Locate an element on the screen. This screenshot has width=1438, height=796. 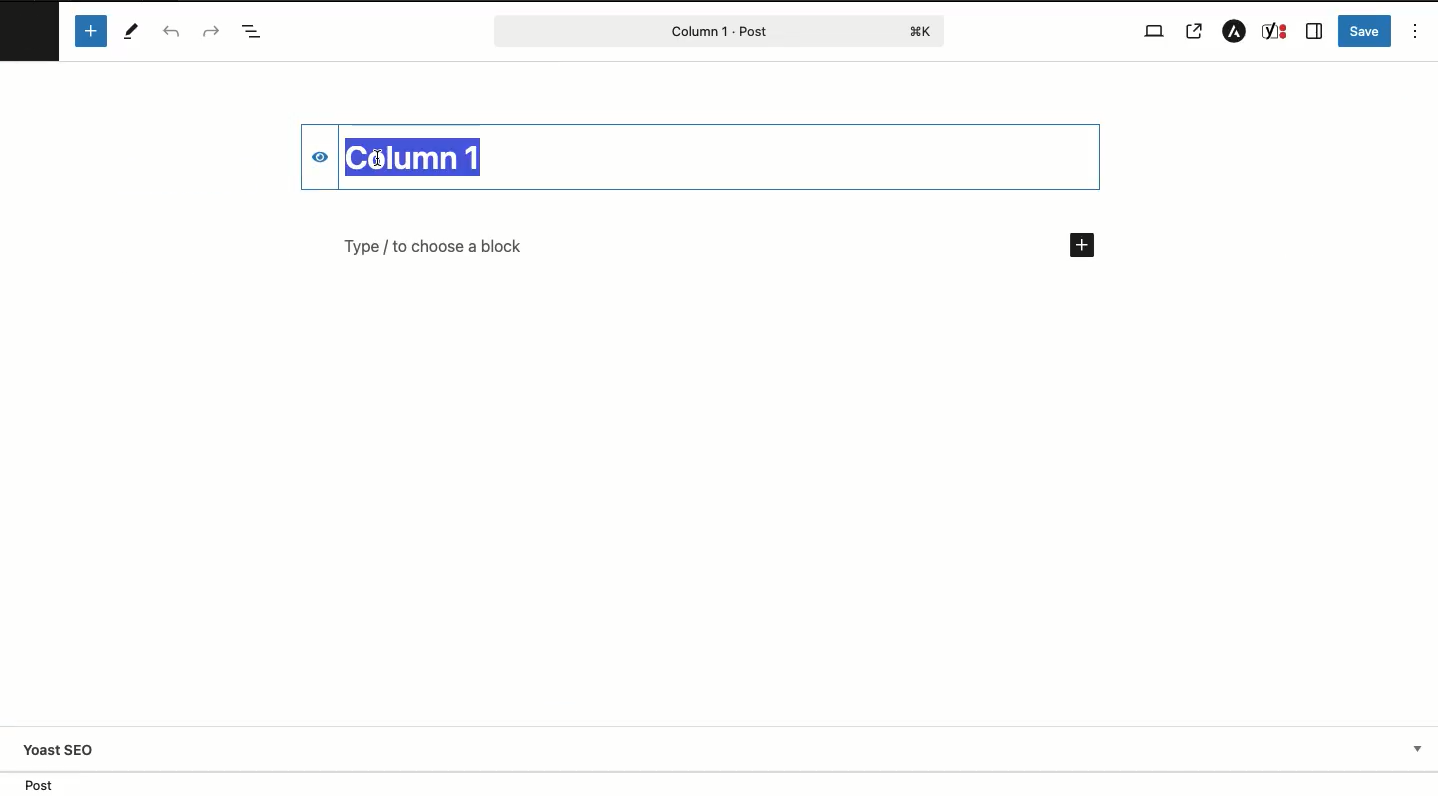
Options is located at coordinates (1416, 30).